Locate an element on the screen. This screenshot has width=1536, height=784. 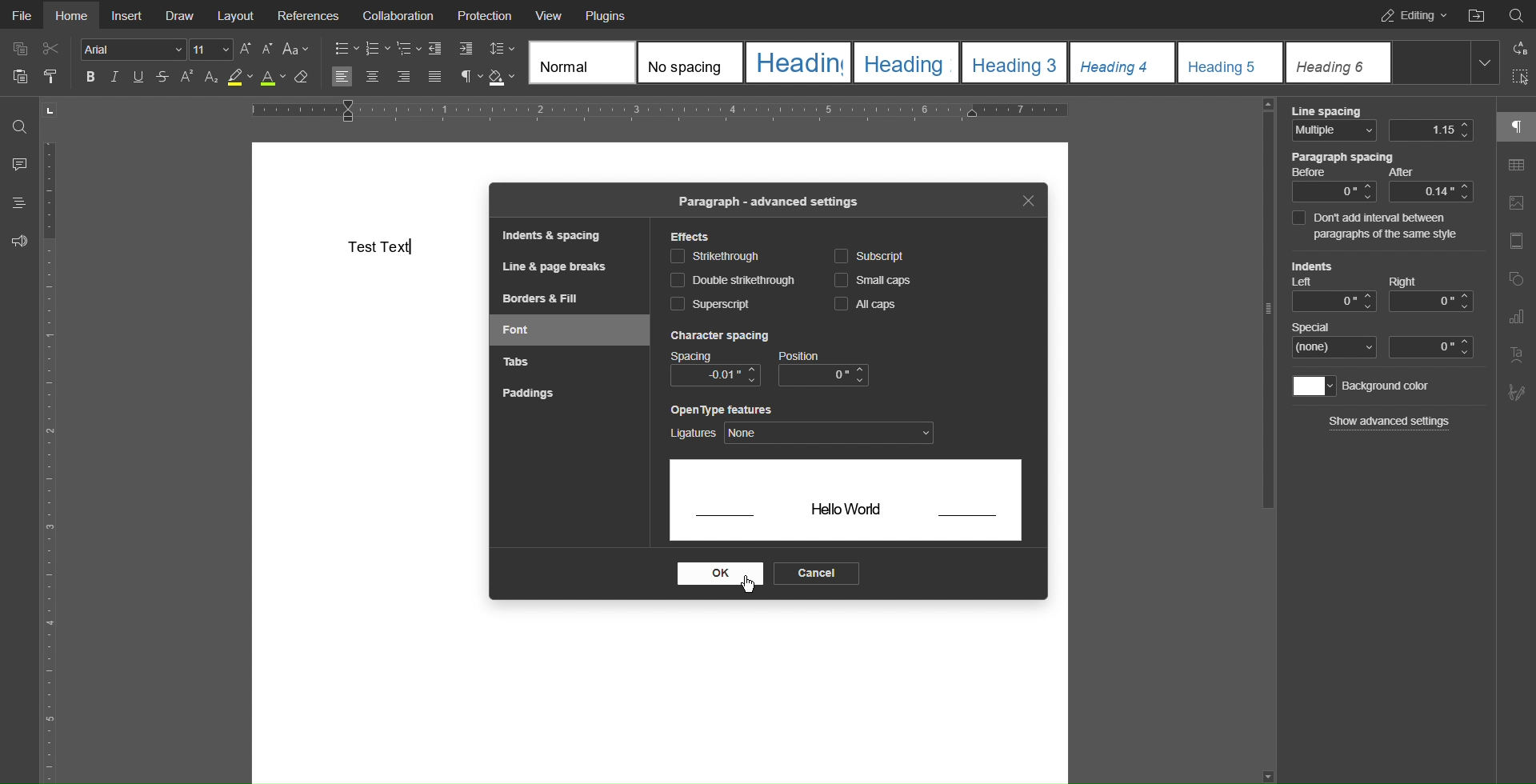
Highlight is located at coordinates (240, 78).